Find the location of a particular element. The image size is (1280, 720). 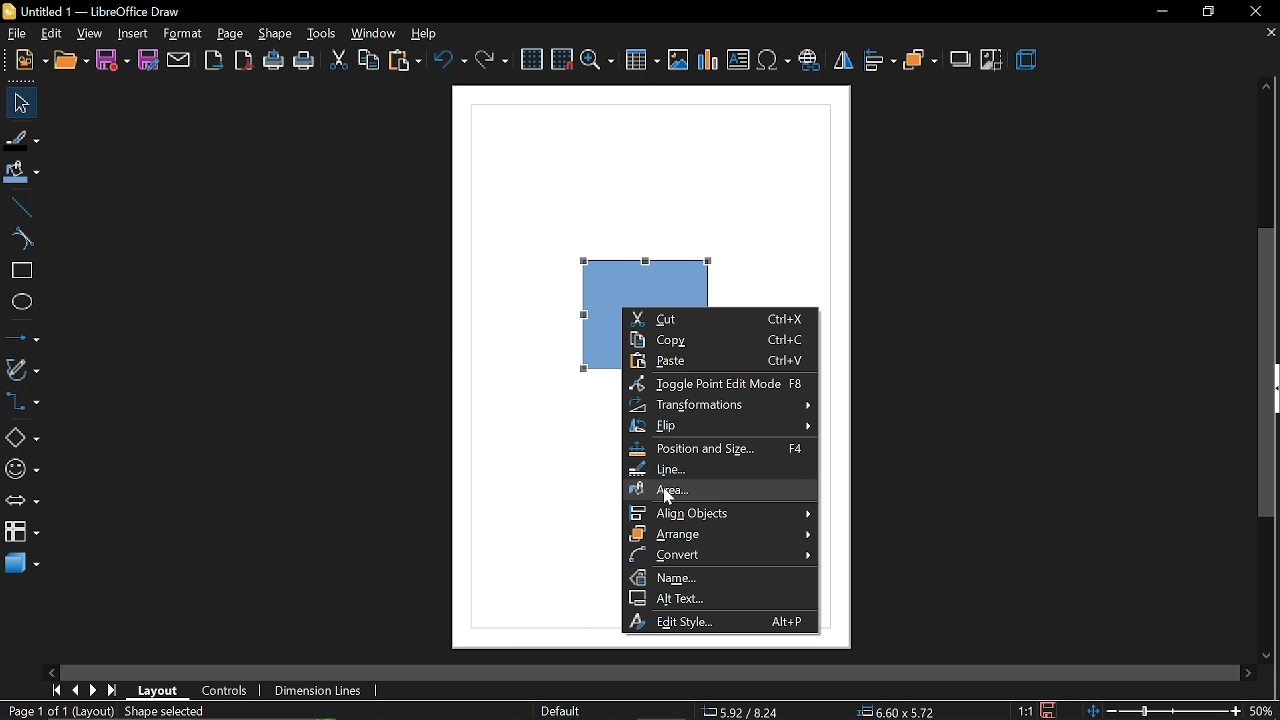

arrange is located at coordinates (720, 534).